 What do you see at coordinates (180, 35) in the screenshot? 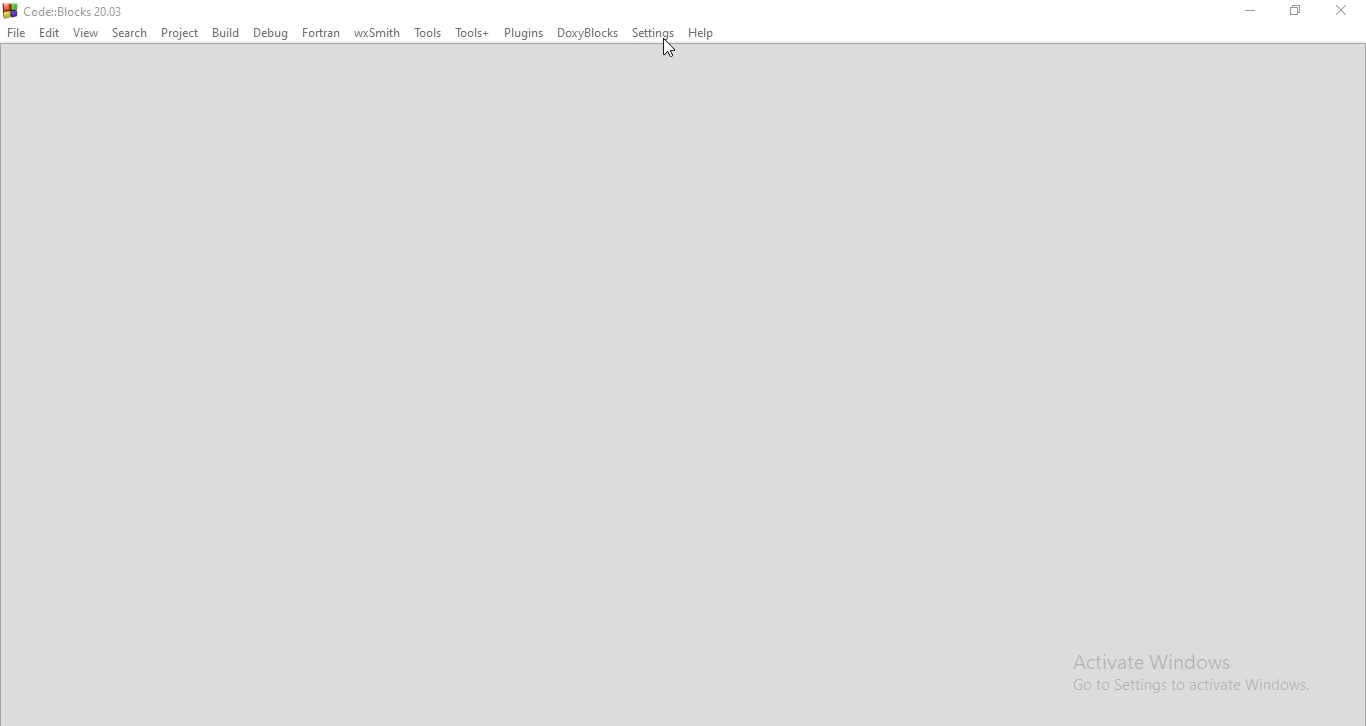
I see `Project` at bounding box center [180, 35].